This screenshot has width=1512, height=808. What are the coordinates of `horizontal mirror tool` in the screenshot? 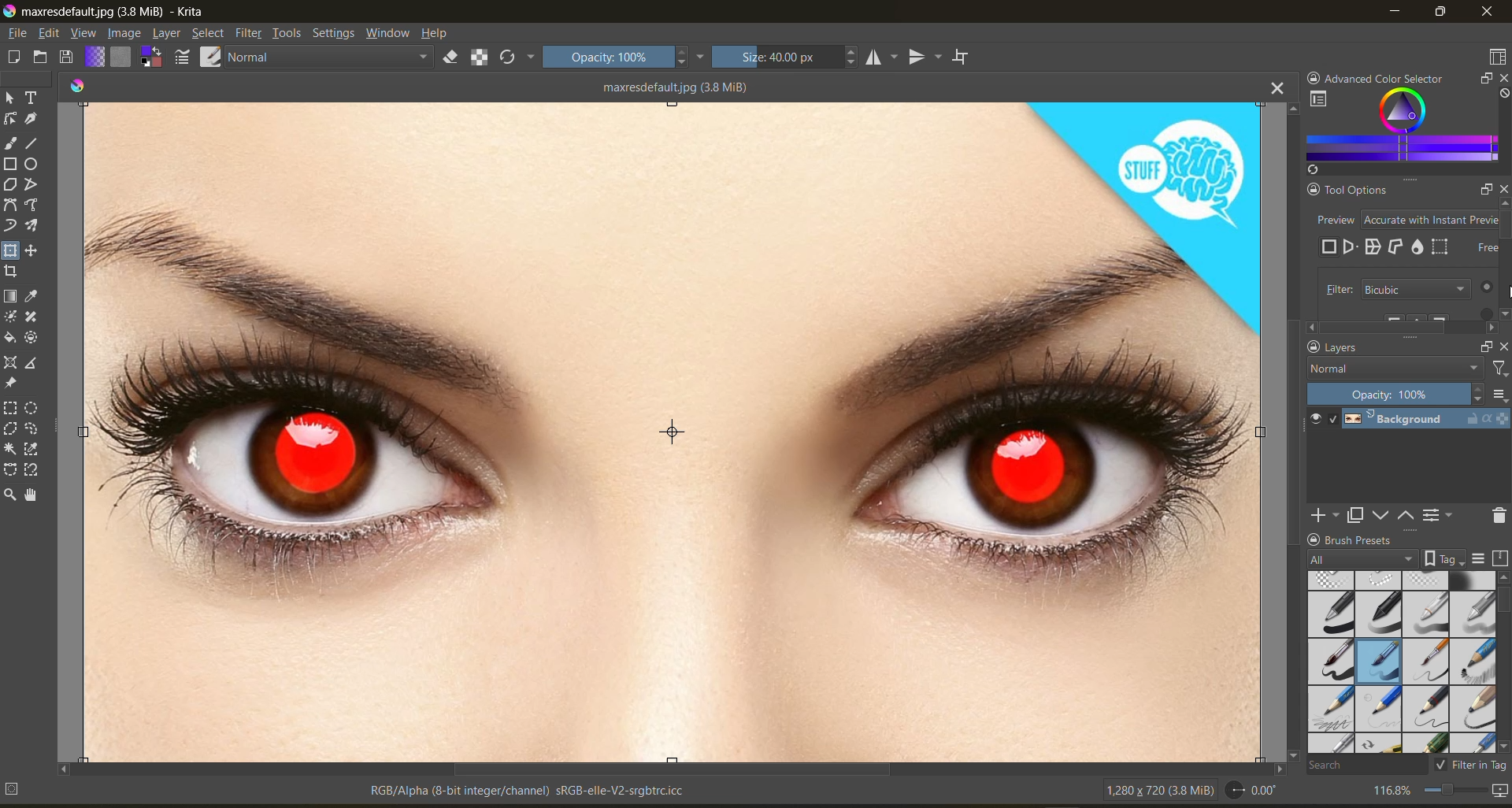 It's located at (883, 57).